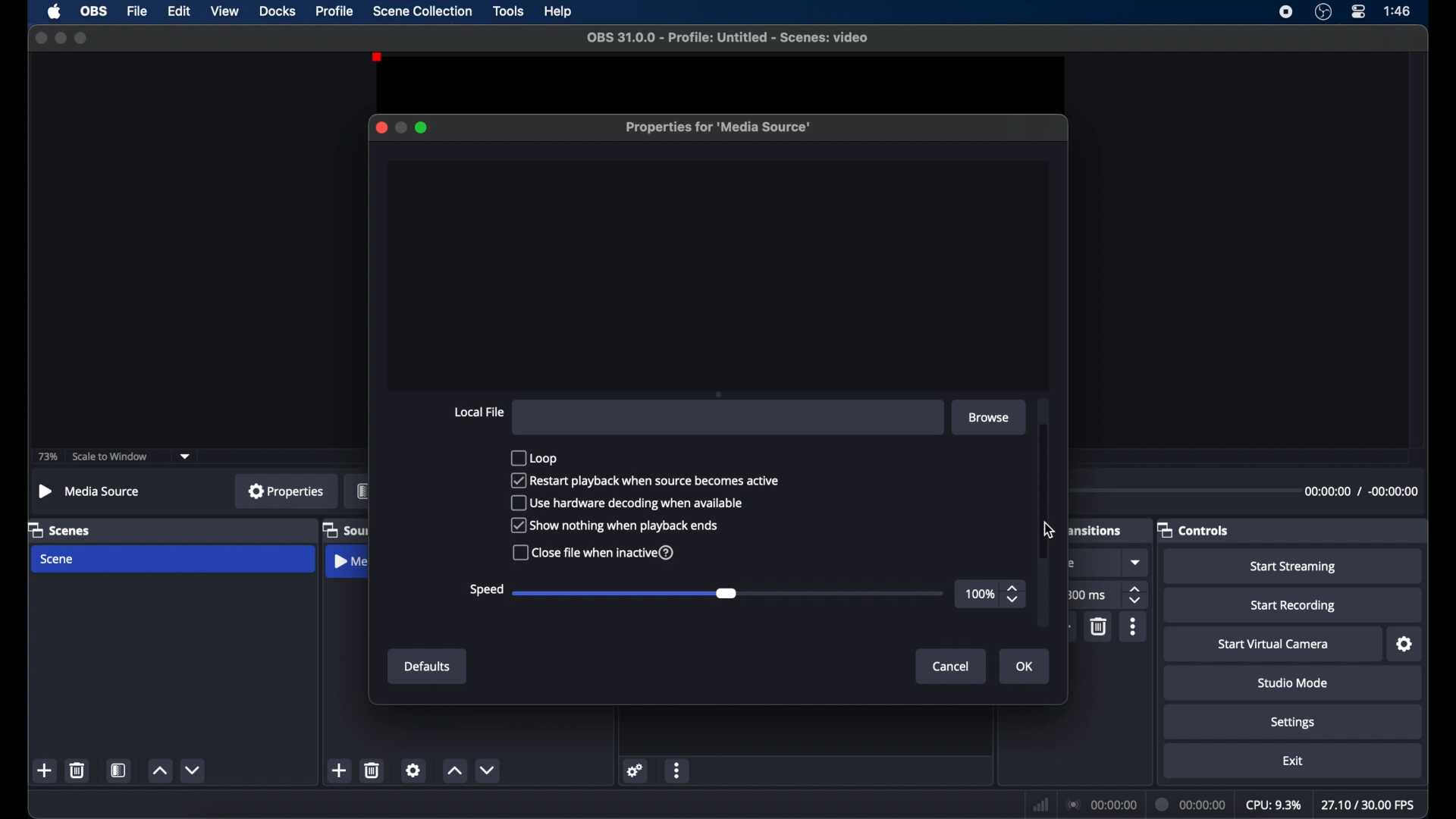 This screenshot has height=819, width=1456. I want to click on screen recorder icon, so click(1286, 12).